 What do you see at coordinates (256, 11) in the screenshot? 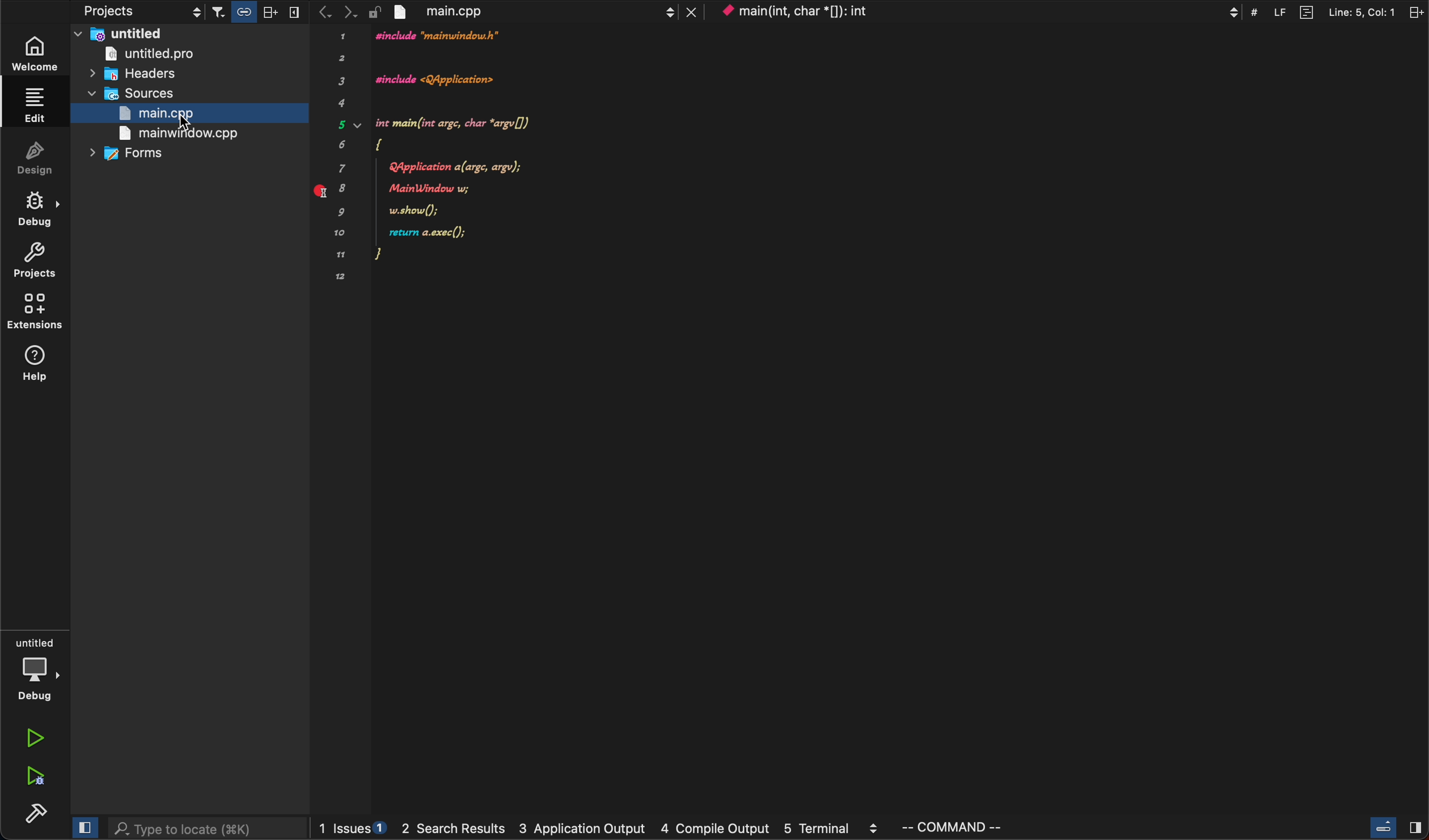
I see `filter` at bounding box center [256, 11].